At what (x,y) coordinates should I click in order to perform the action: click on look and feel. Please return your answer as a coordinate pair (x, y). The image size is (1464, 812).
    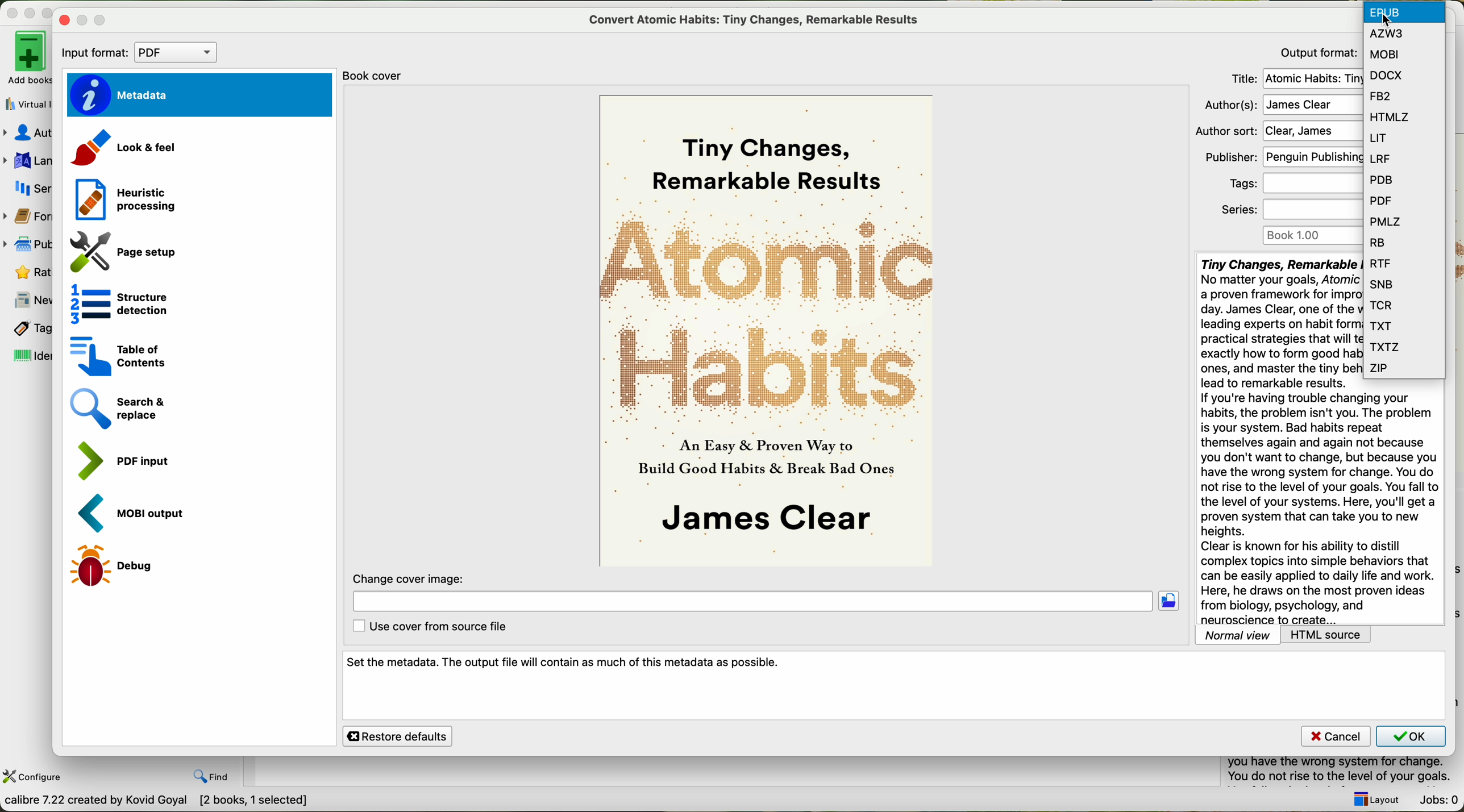
    Looking at the image, I should click on (123, 149).